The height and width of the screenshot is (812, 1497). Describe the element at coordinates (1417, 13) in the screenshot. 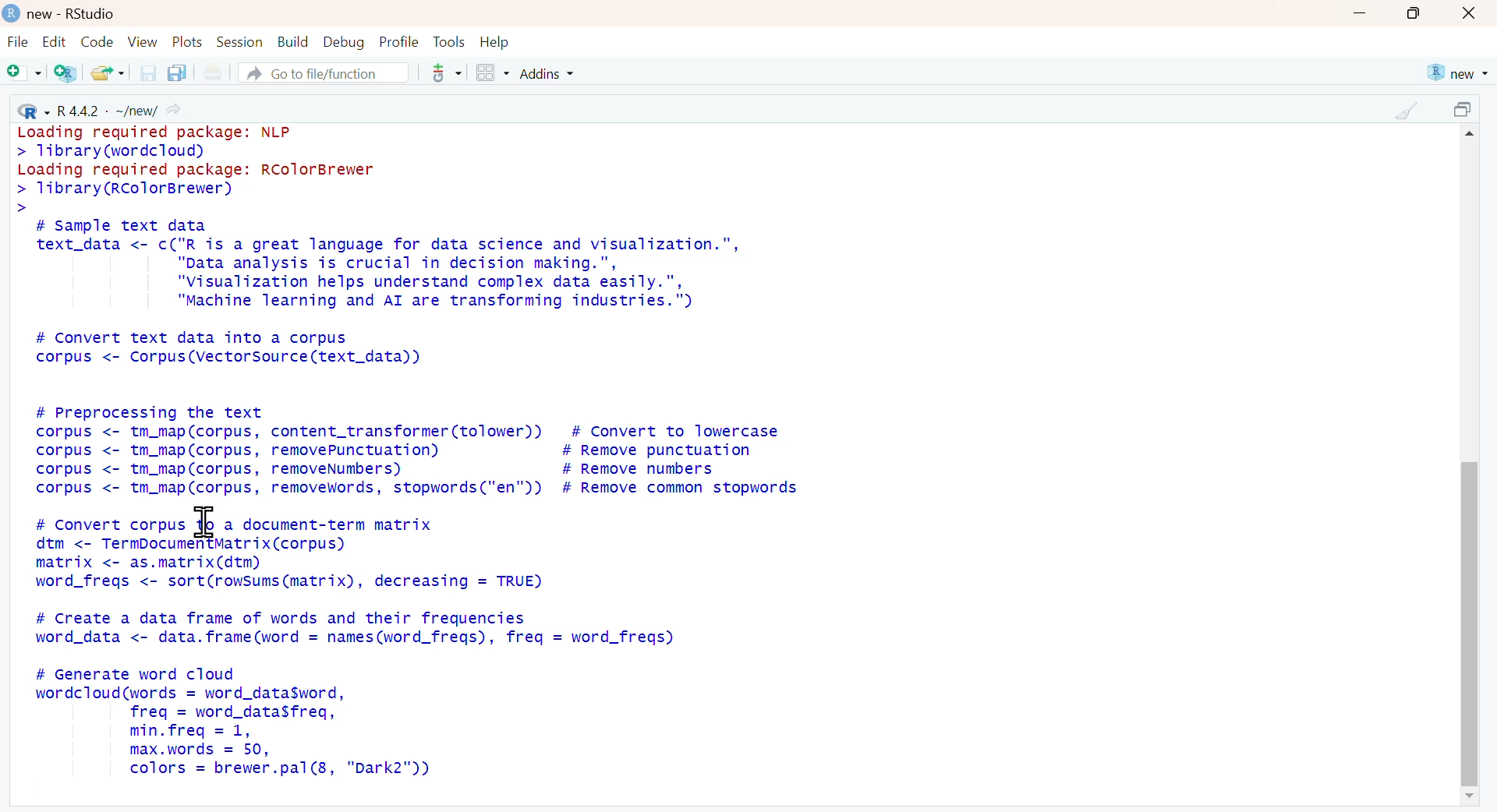

I see `maximize` at that location.